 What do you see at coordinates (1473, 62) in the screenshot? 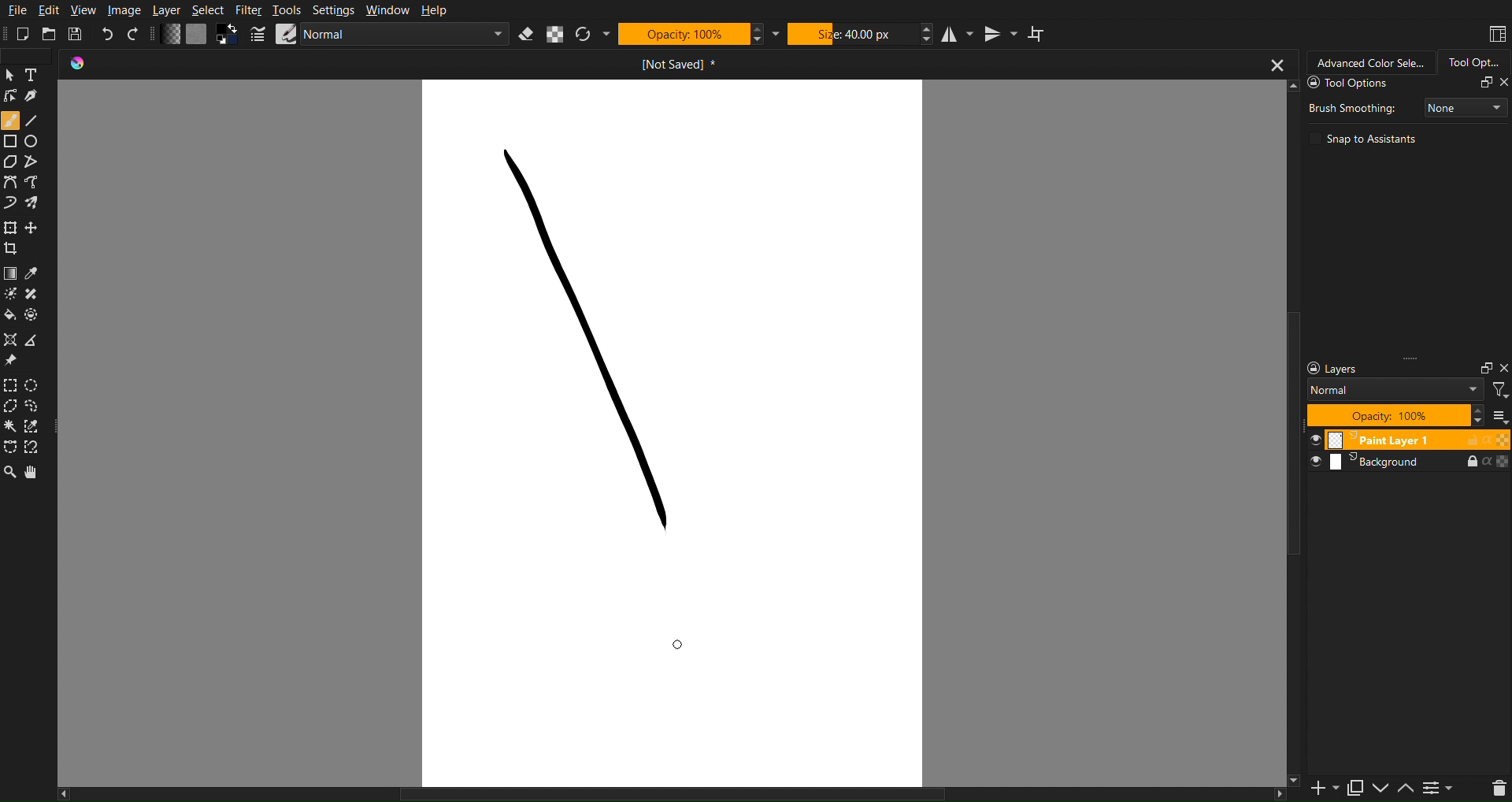
I see `Tool Options` at bounding box center [1473, 62].